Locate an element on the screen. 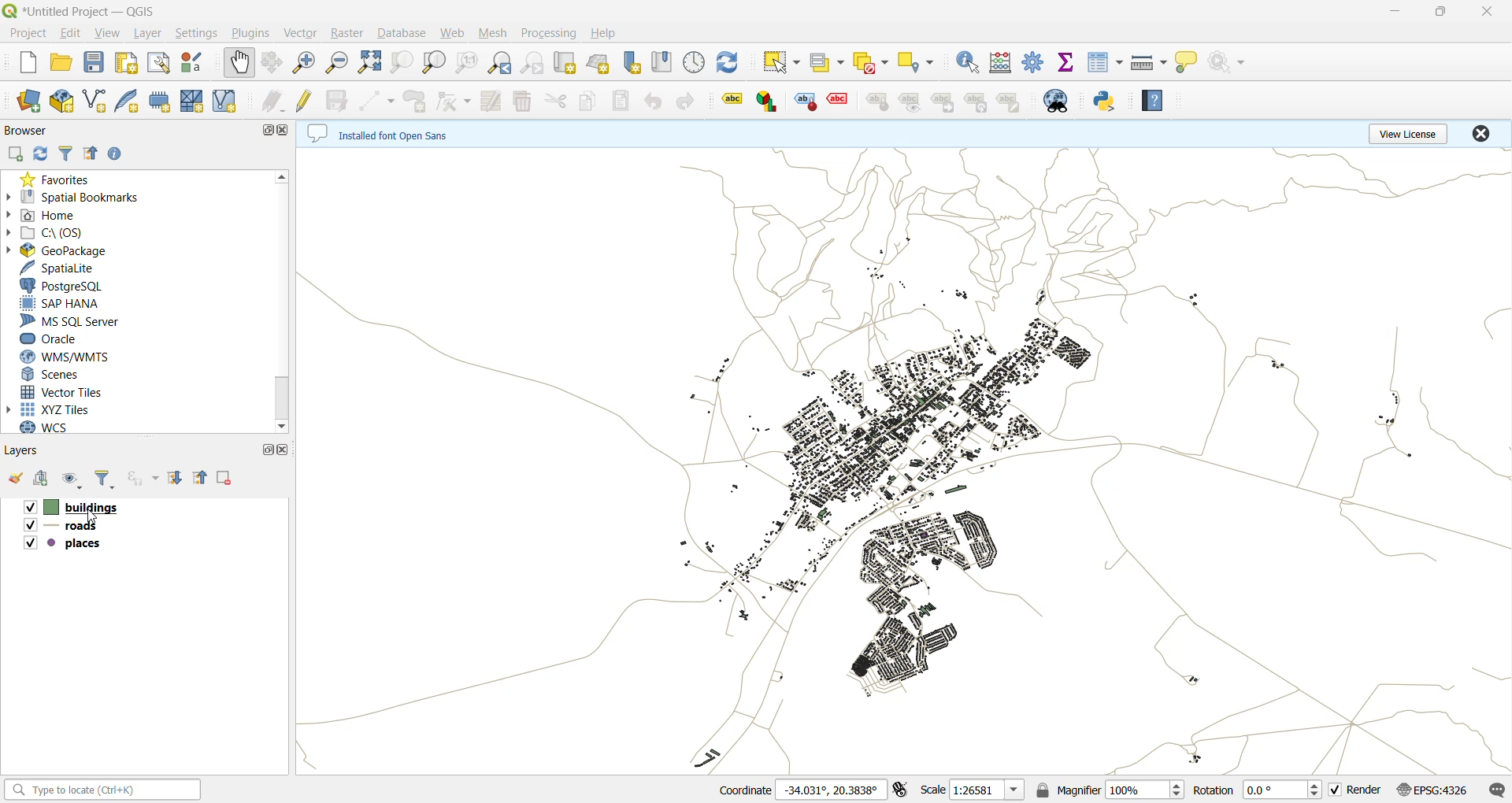 This screenshot has width=1512, height=803. delete is located at coordinates (522, 101).